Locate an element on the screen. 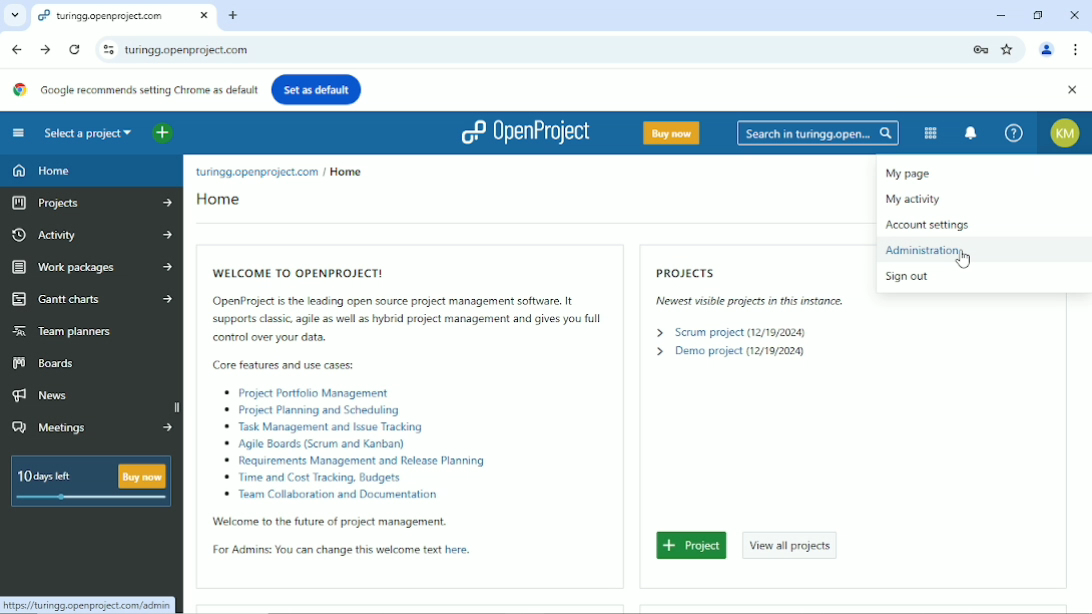  OpenProject is the leading open source project management software. It supports classic. agile as well s hybrid project management and gives you full control over your data is located at coordinates (408, 319).